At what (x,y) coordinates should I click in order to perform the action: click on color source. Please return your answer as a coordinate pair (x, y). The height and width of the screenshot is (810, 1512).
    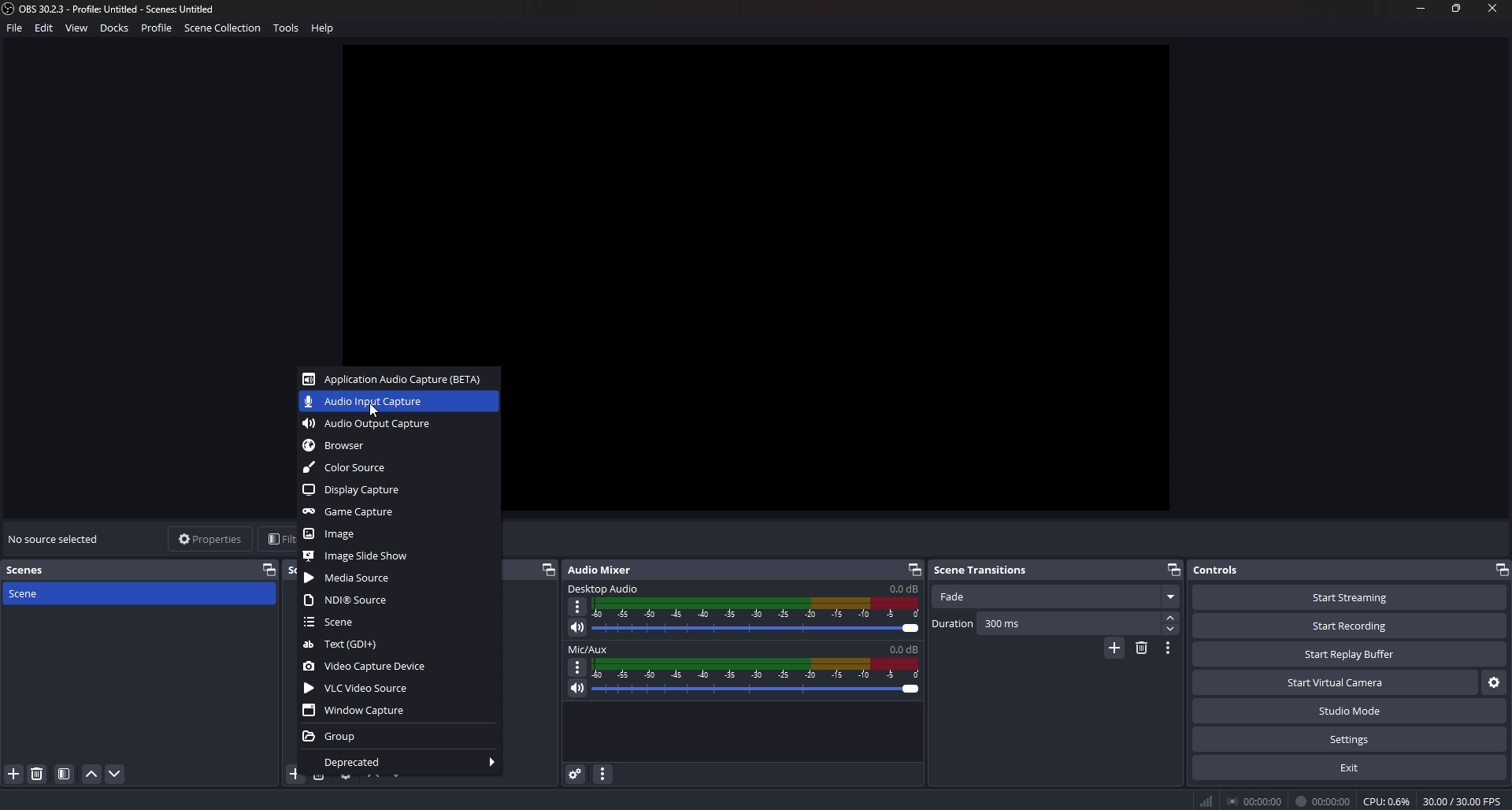
    Looking at the image, I should click on (398, 467).